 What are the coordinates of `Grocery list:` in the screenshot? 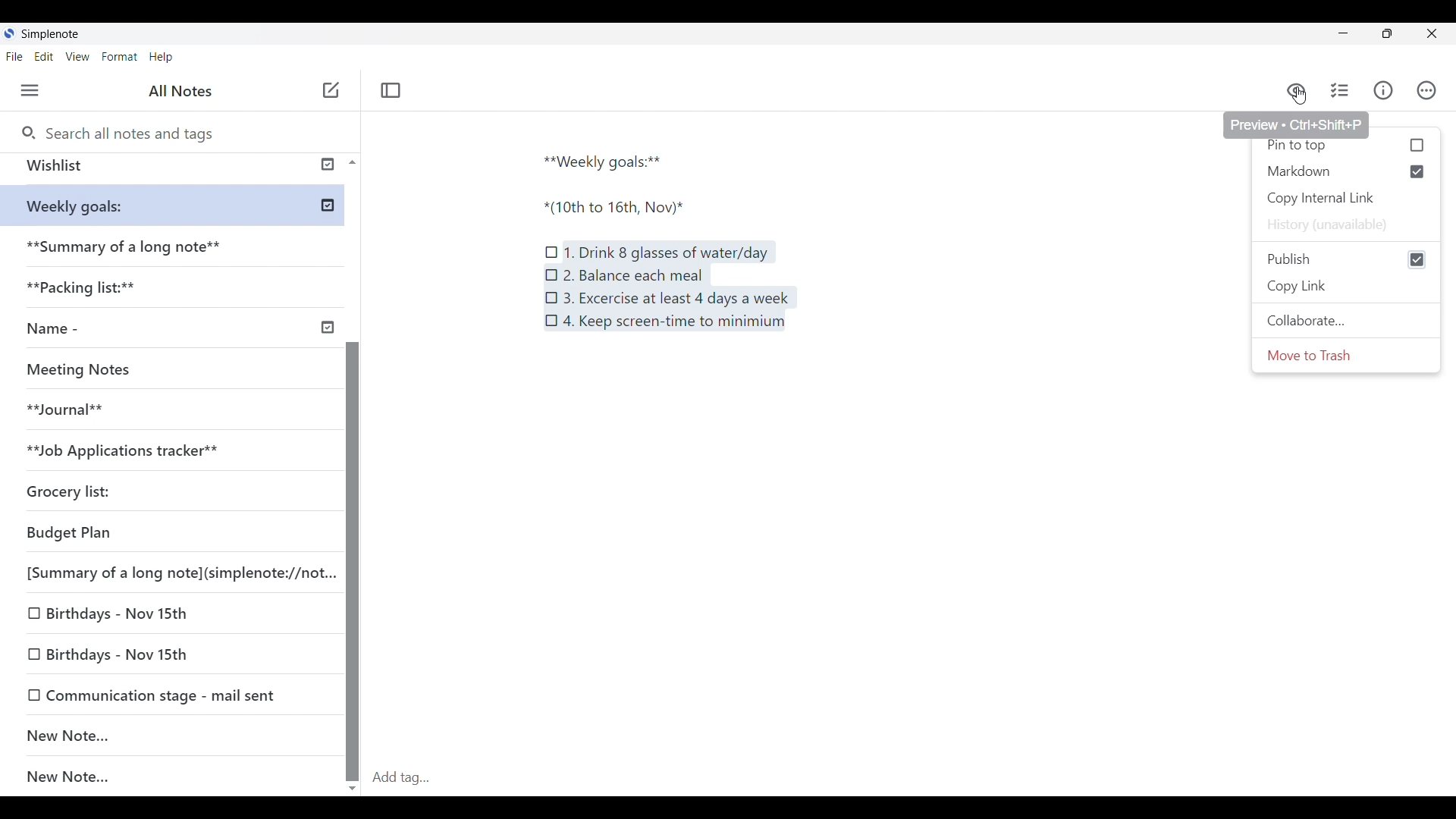 It's located at (92, 487).